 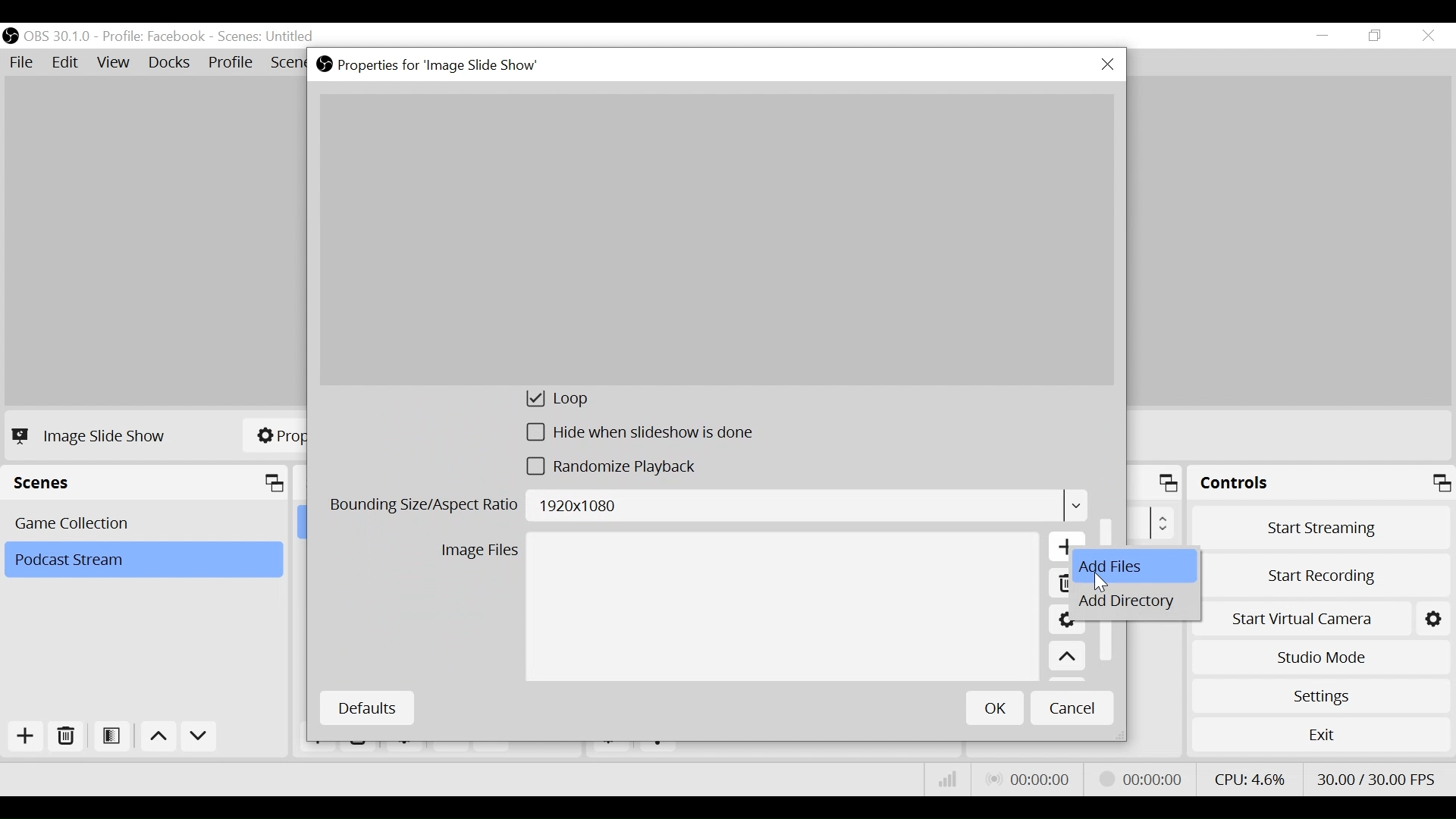 I want to click on Properties for Image Slideshow, so click(x=431, y=65).